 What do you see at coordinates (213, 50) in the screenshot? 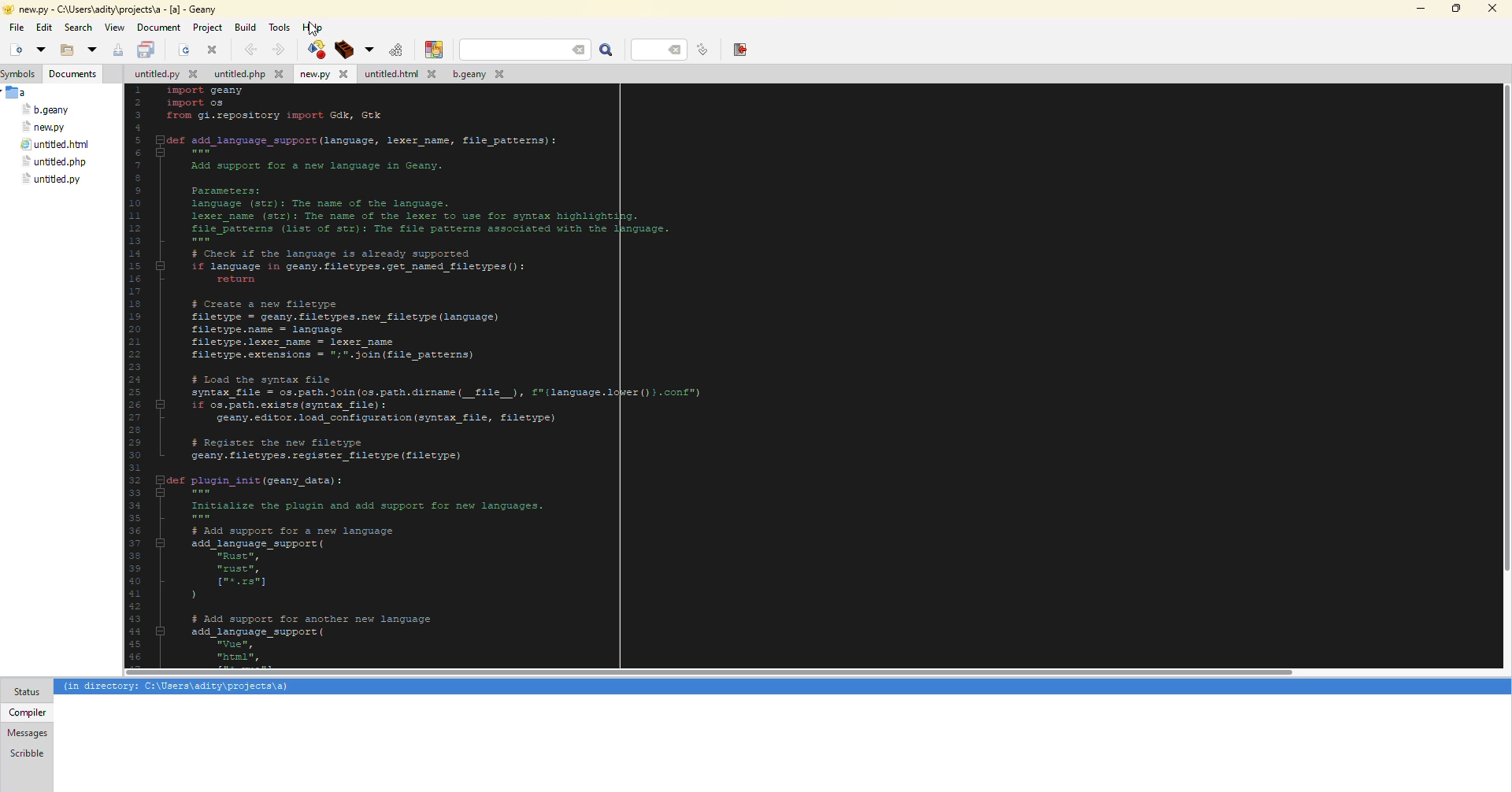
I see `close` at bounding box center [213, 50].